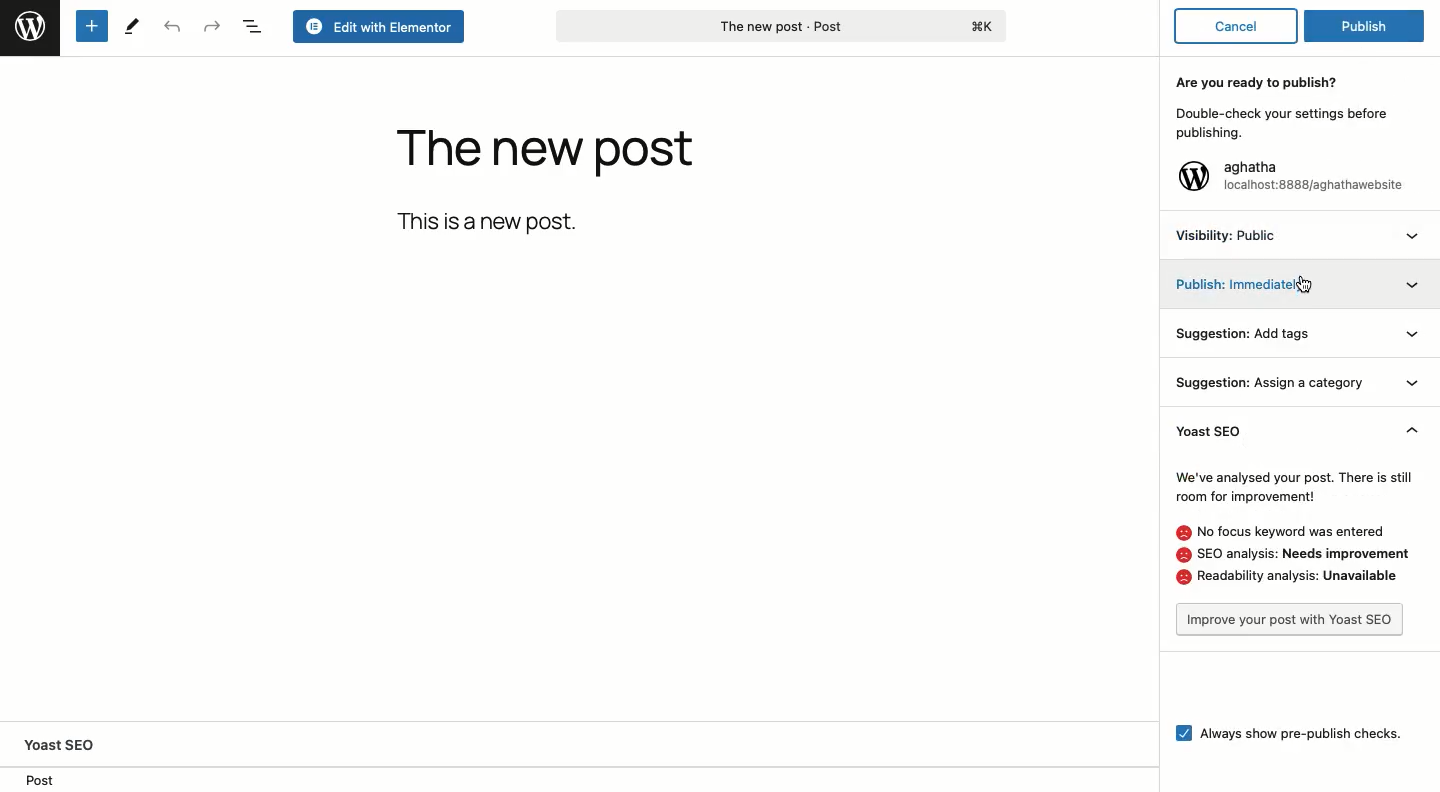 This screenshot has width=1440, height=792. I want to click on The new post, so click(546, 154).